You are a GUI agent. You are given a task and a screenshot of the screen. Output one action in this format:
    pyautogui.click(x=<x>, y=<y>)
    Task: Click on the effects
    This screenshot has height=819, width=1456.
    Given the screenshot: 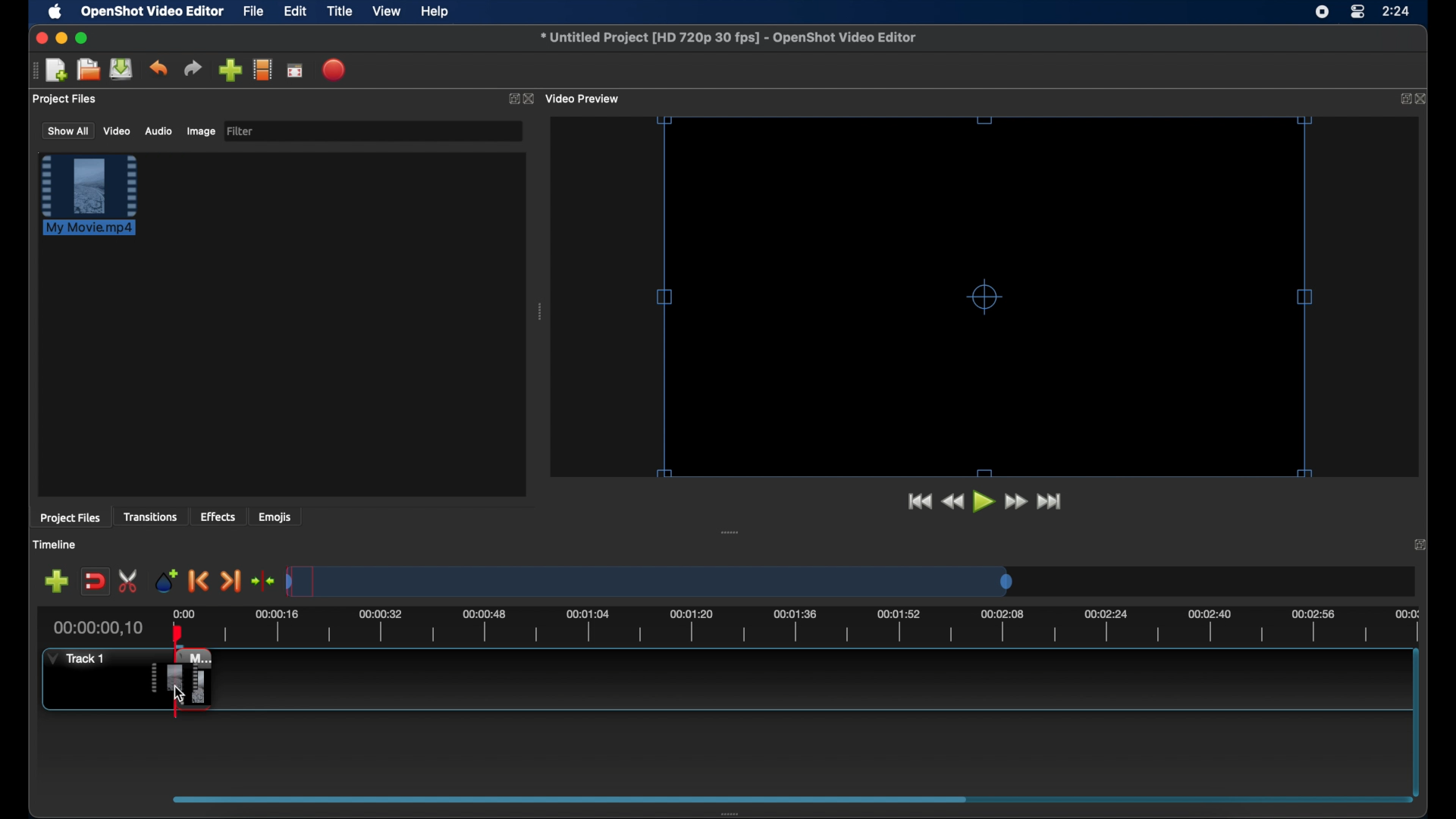 What is the action you would take?
    pyautogui.click(x=218, y=516)
    